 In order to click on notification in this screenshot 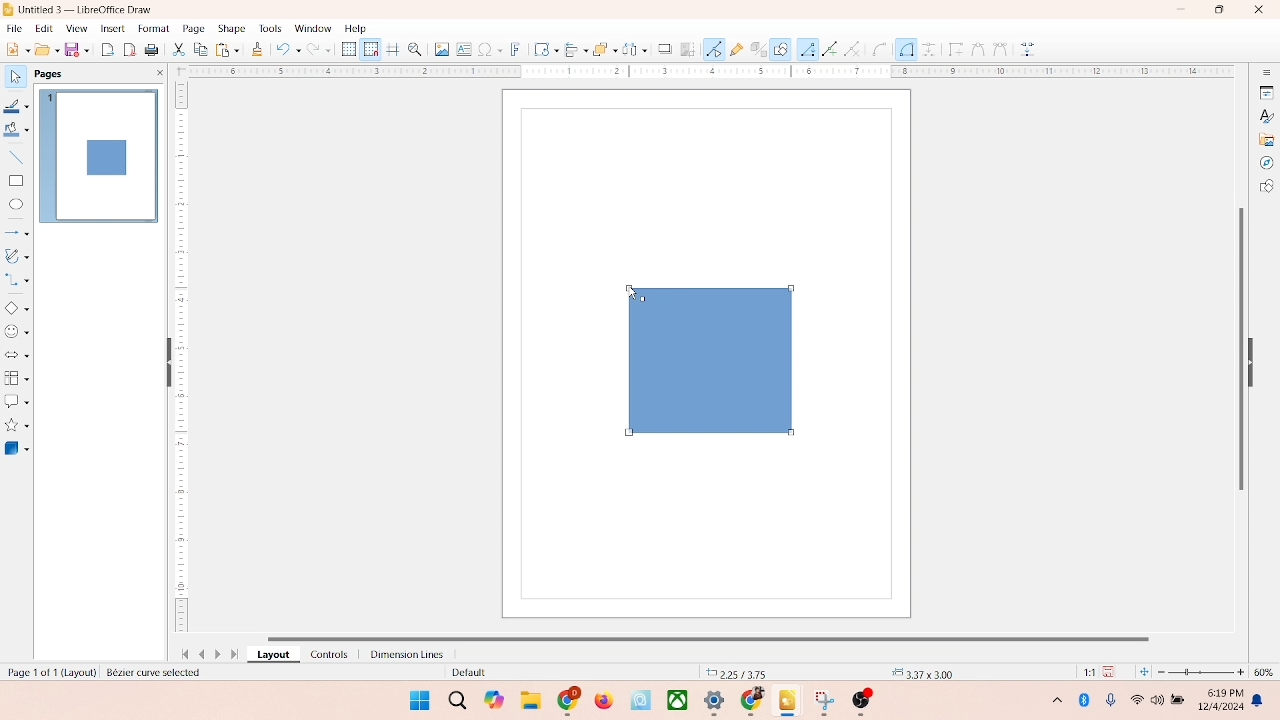, I will do `click(1261, 701)`.